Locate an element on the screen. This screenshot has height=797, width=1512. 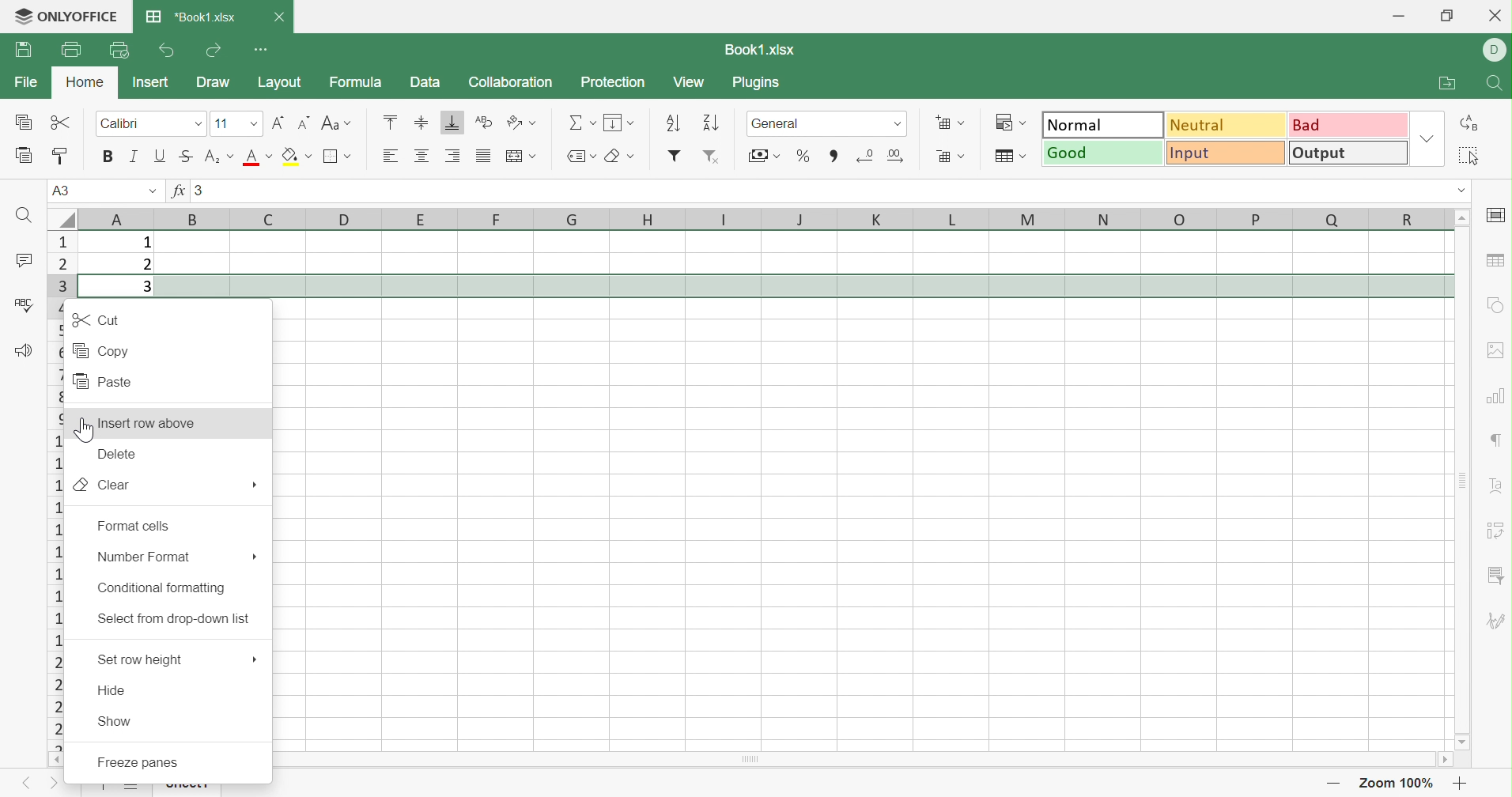
Slicer settings is located at coordinates (1497, 574).